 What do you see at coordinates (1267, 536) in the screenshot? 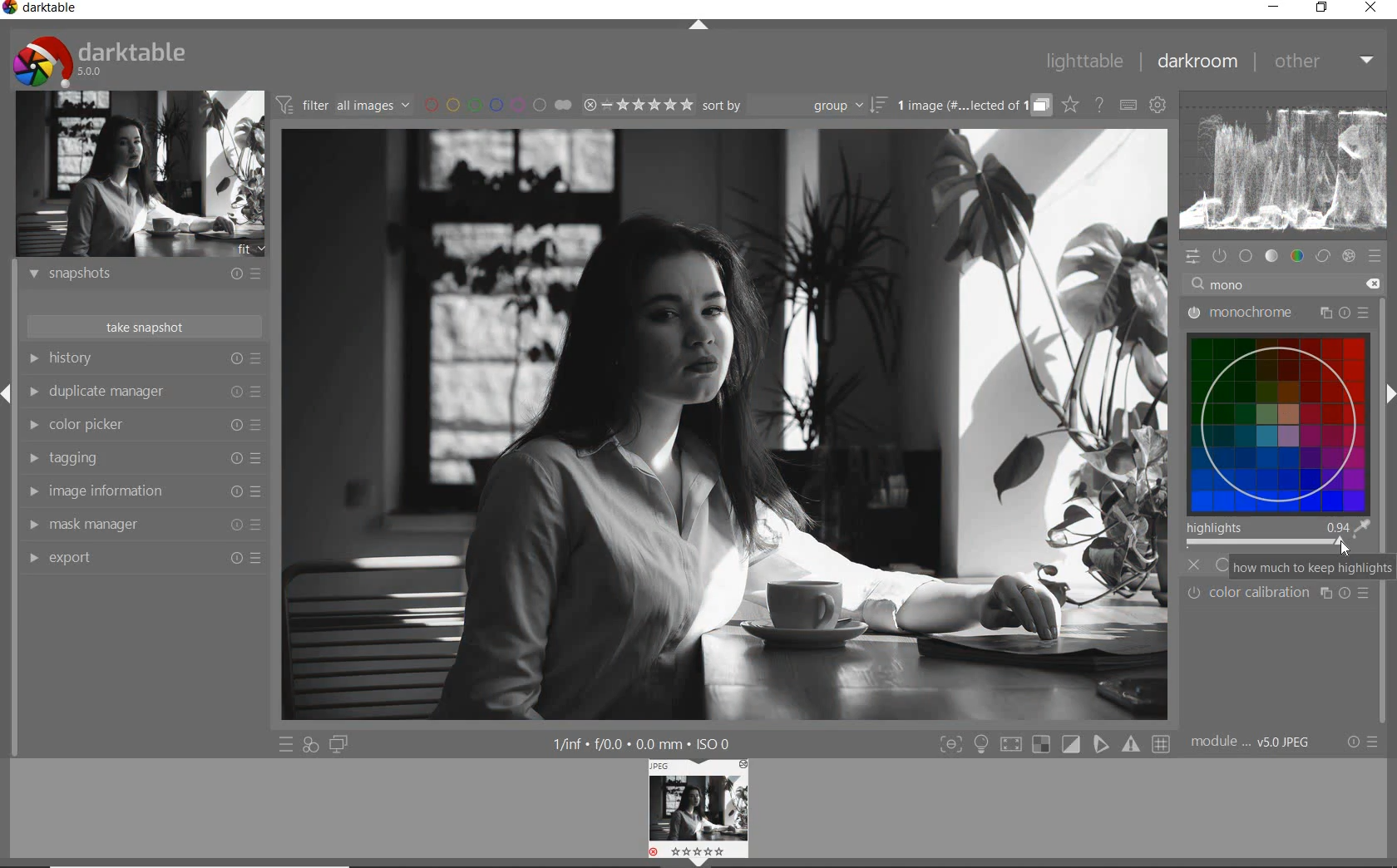
I see `highlights adjusted` at bounding box center [1267, 536].